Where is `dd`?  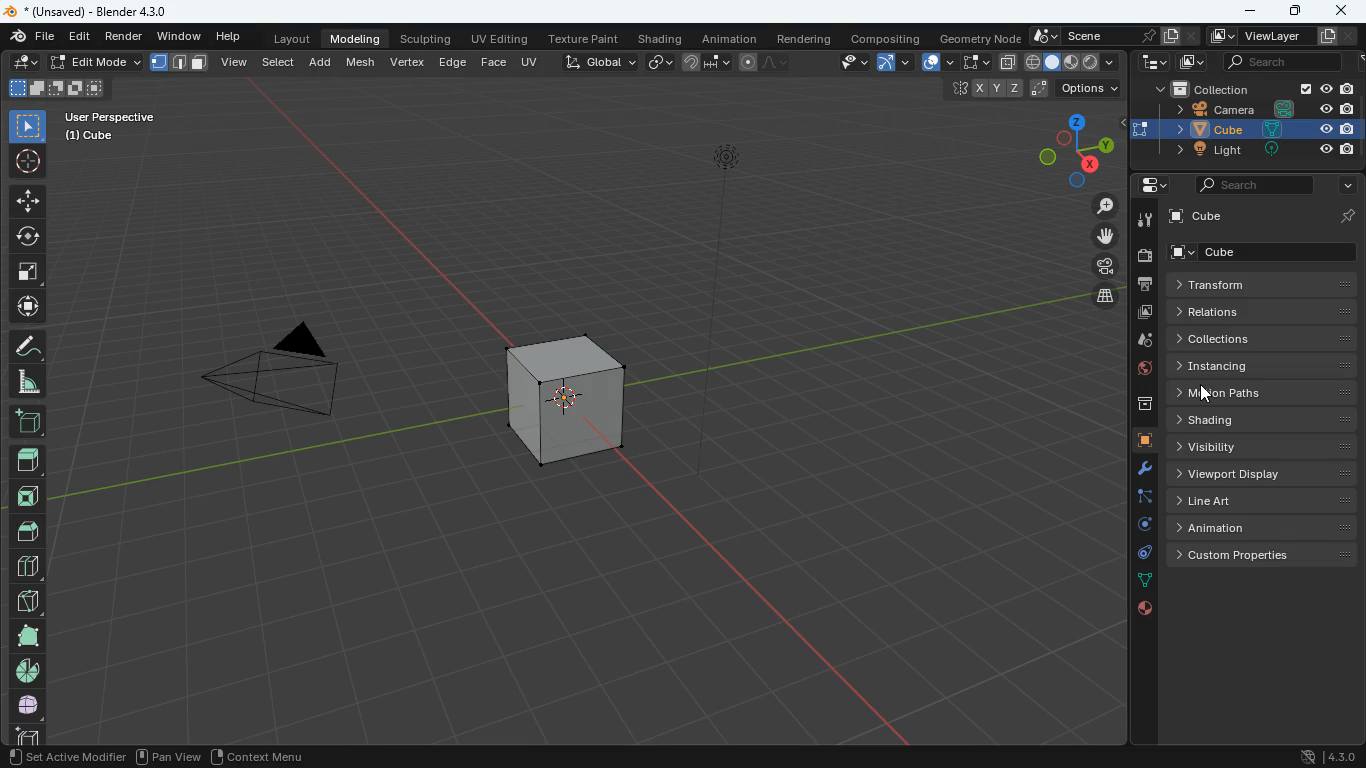 dd is located at coordinates (27, 420).